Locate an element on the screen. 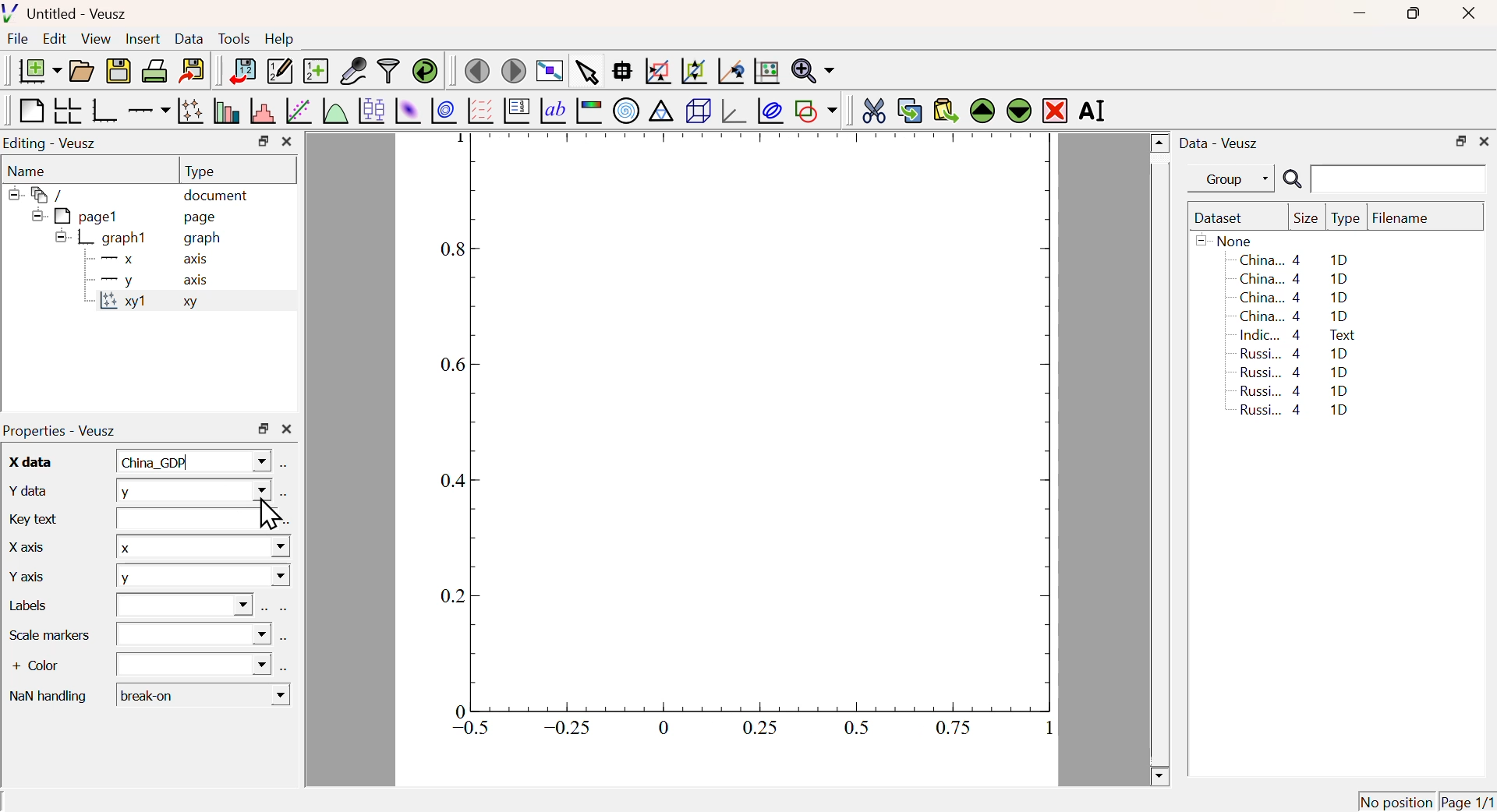  Zoom out graph axis is located at coordinates (693, 69).